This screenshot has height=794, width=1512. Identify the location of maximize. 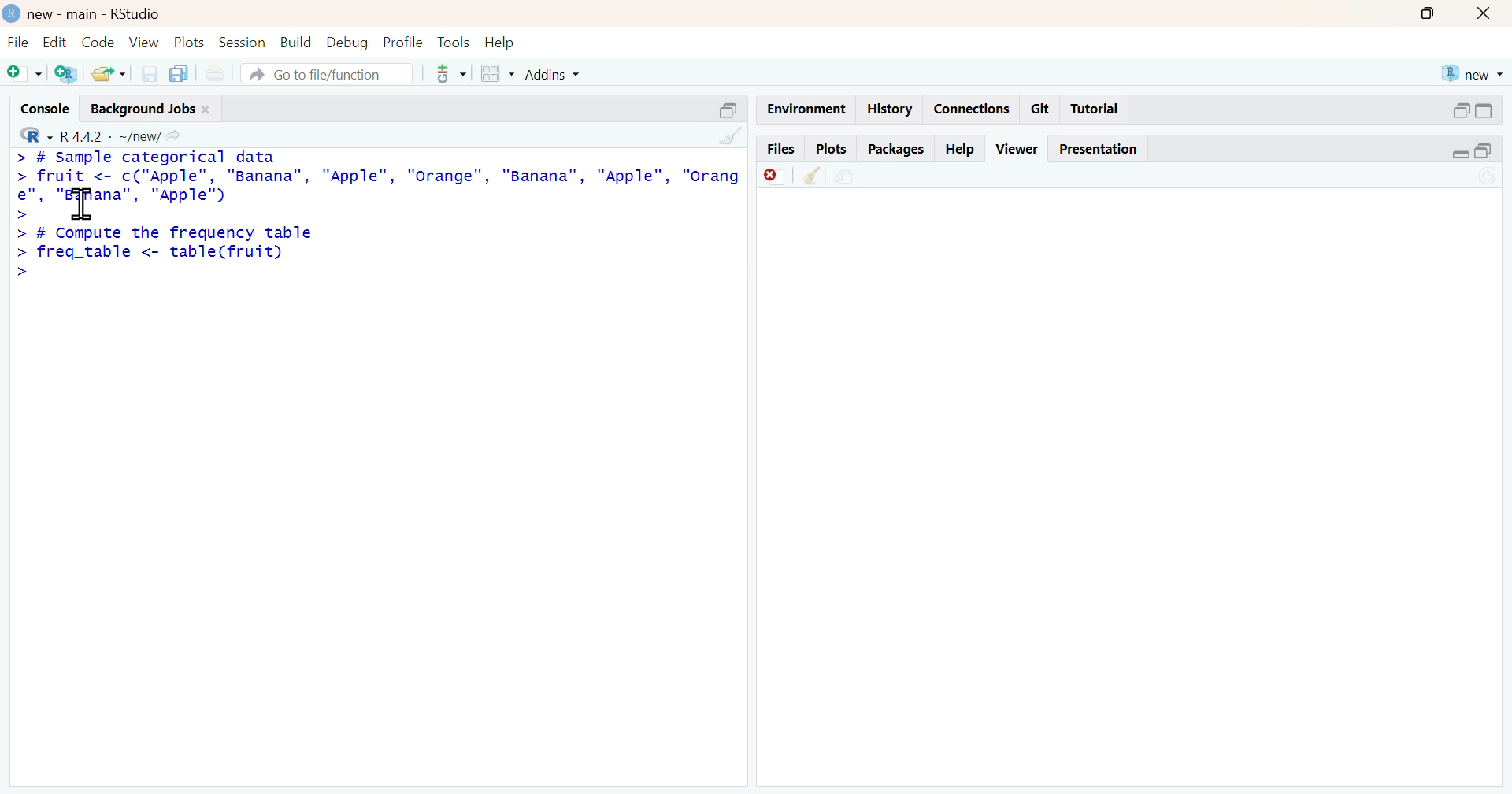
(1421, 14).